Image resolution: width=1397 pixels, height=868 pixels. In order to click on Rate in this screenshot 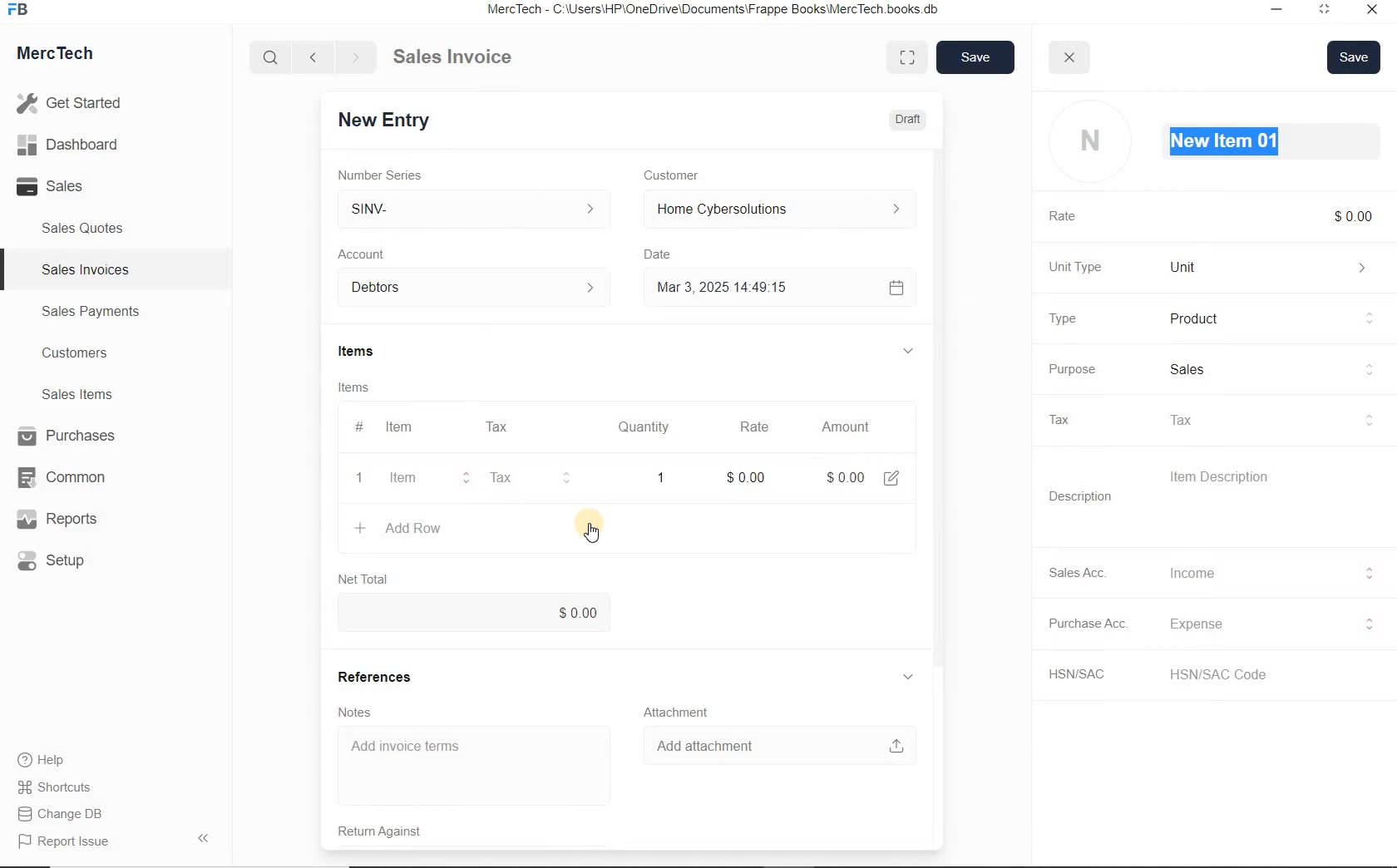, I will do `click(1067, 217)`.